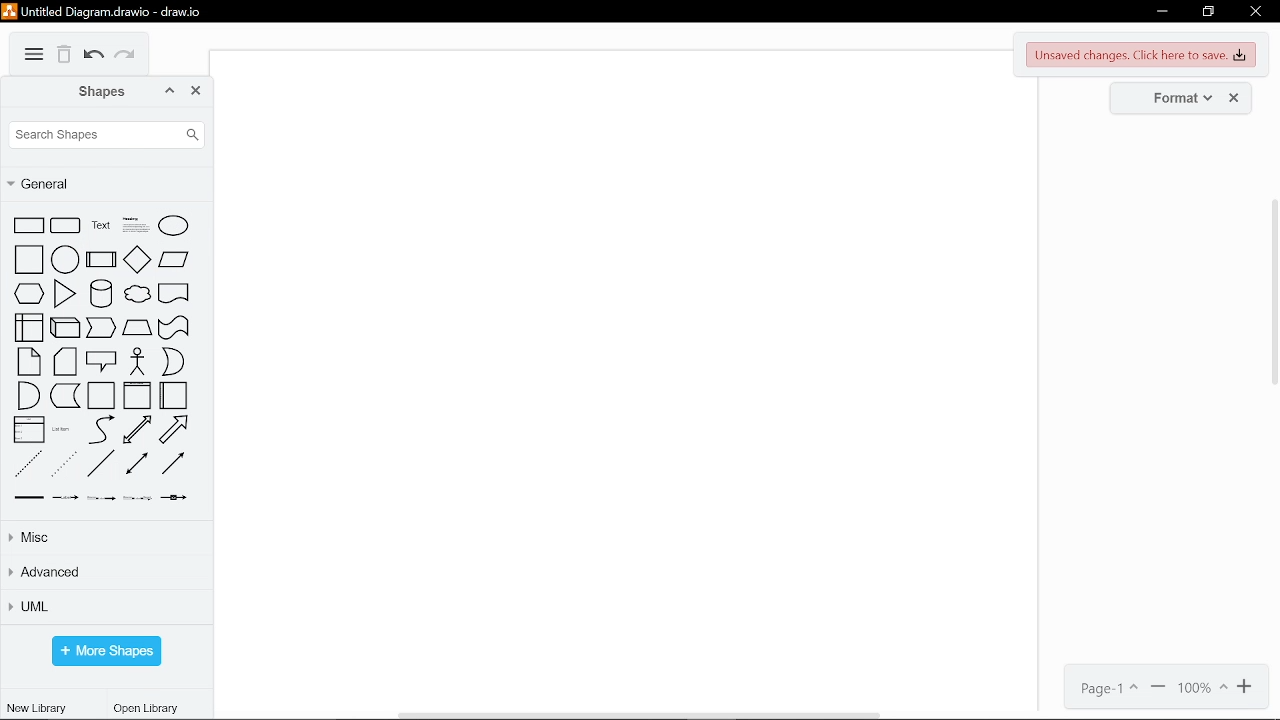 Image resolution: width=1280 pixels, height=720 pixels. I want to click on 100%, so click(1203, 688).